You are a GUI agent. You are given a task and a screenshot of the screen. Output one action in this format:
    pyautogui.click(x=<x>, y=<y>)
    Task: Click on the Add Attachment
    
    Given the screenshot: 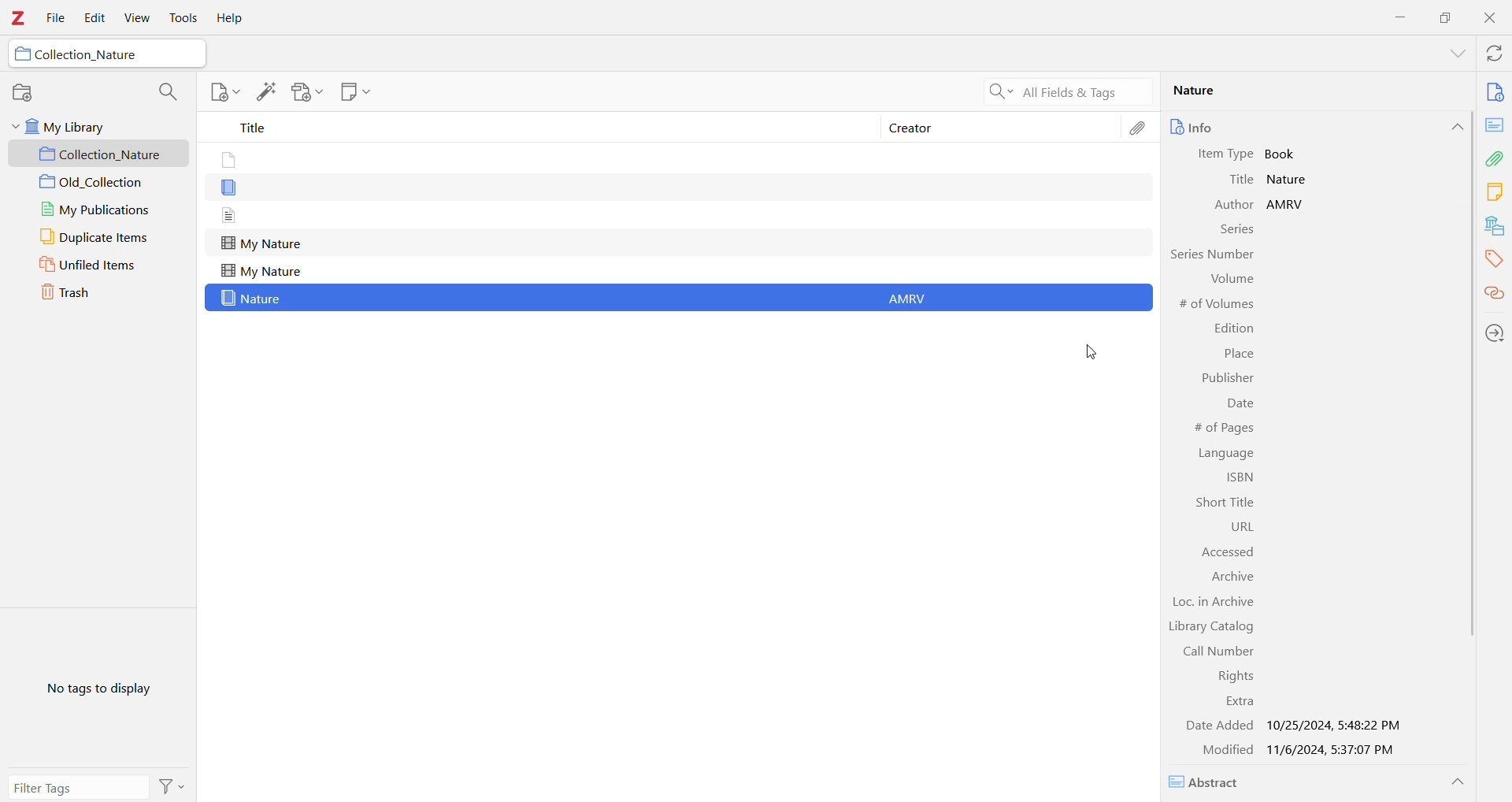 What is the action you would take?
    pyautogui.click(x=307, y=92)
    